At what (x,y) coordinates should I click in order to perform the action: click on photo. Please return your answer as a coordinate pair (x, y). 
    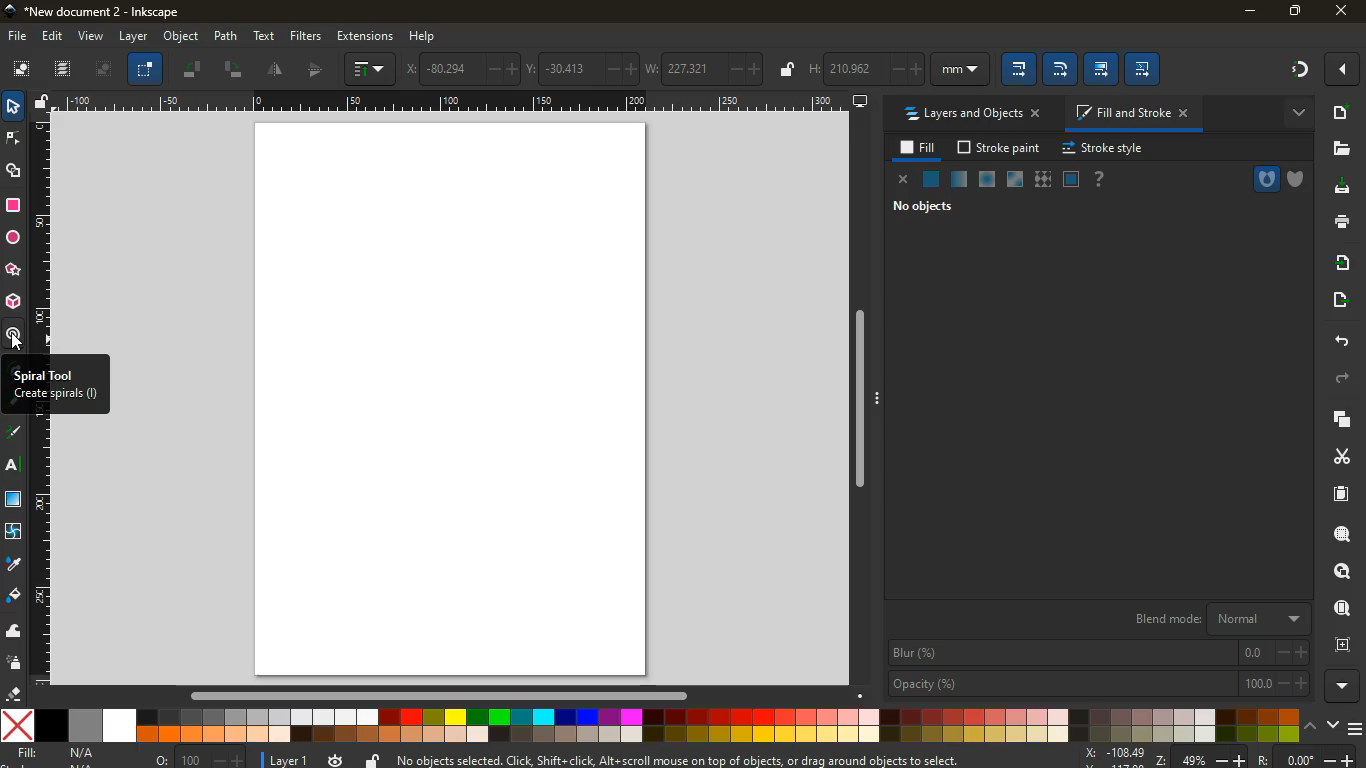
    Looking at the image, I should click on (108, 67).